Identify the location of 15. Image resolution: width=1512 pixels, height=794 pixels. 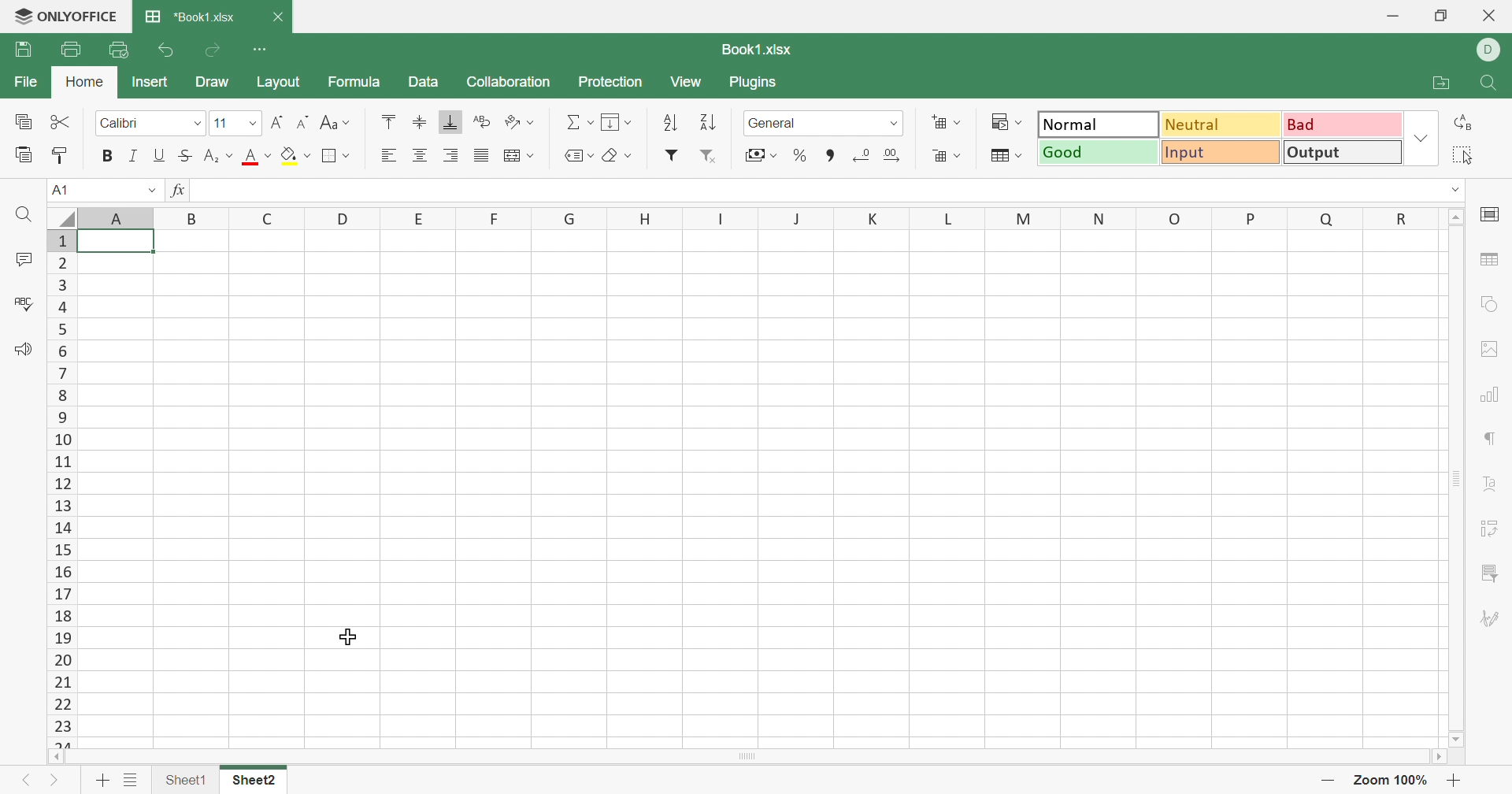
(62, 551).